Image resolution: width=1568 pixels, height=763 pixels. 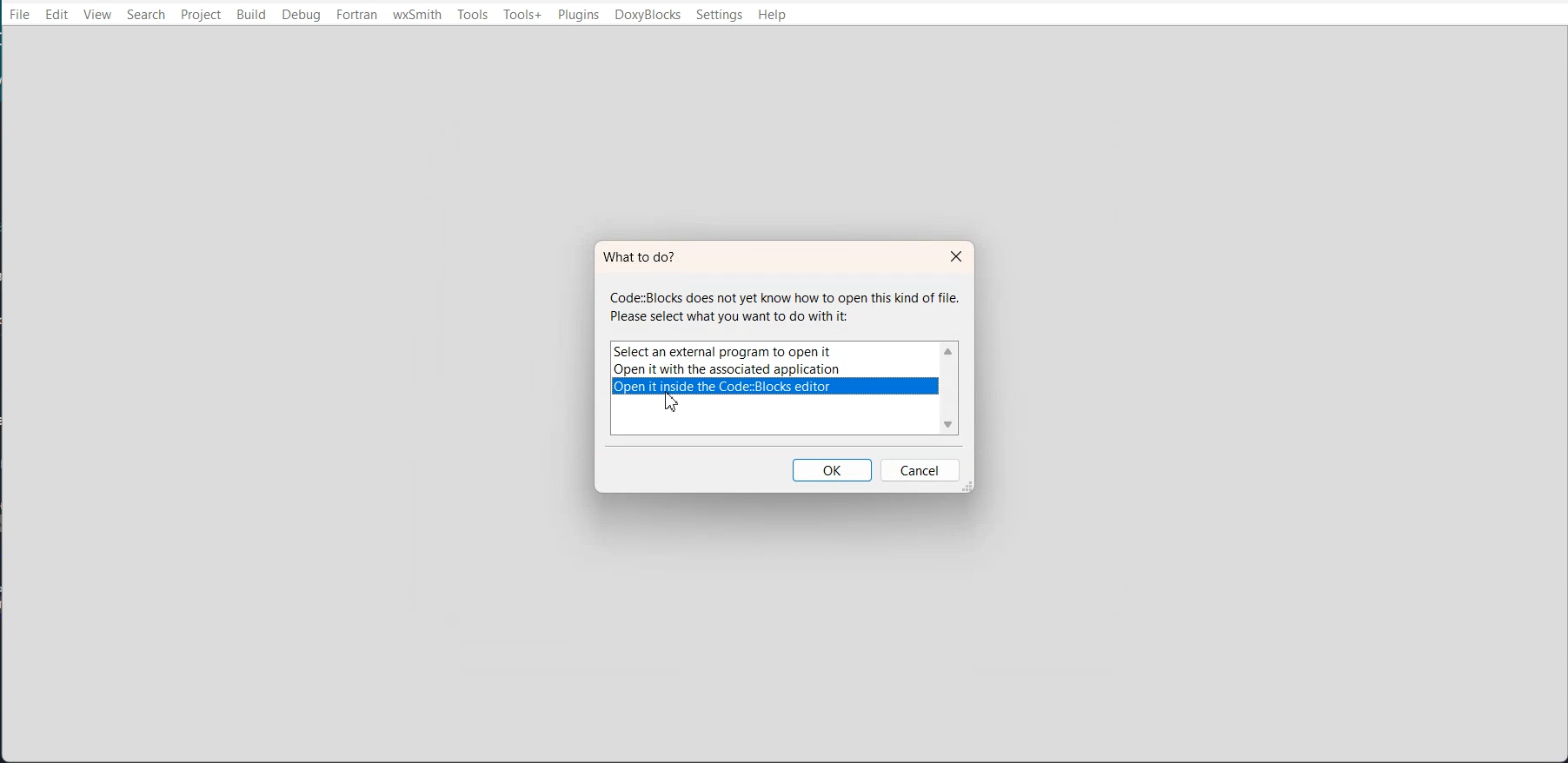 I want to click on OK, so click(x=833, y=470).